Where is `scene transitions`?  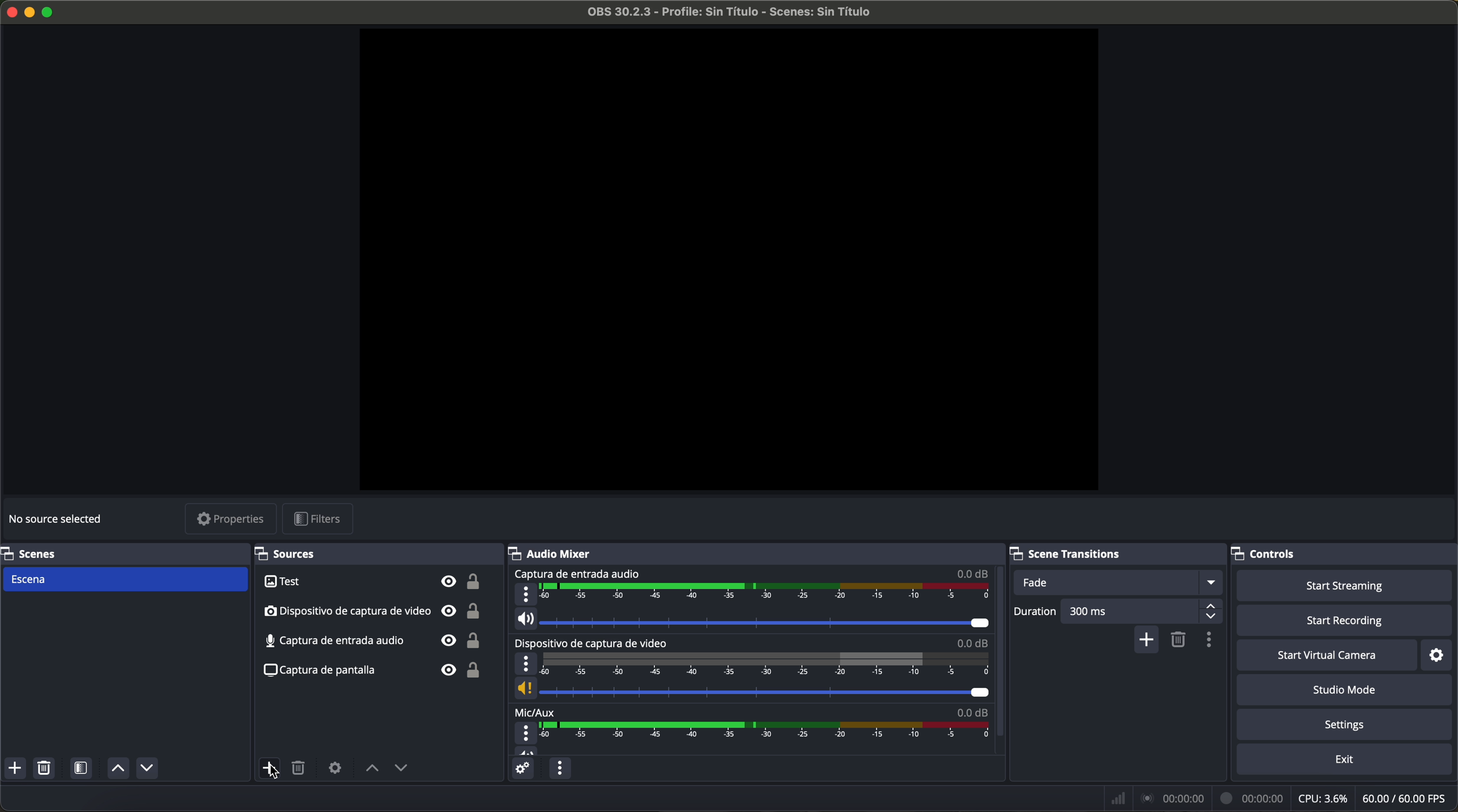 scene transitions is located at coordinates (1070, 553).